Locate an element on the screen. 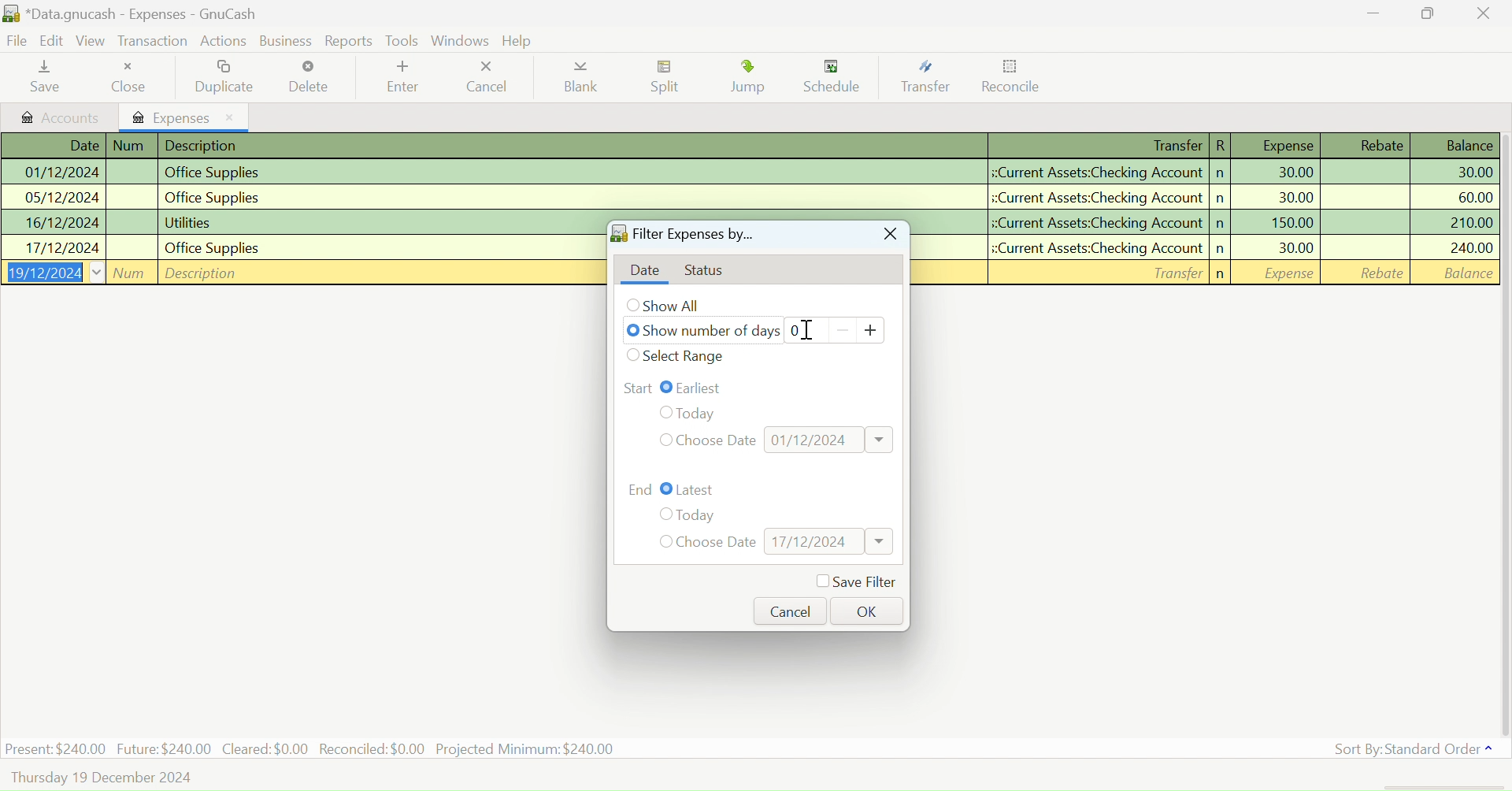  Utilities Transaction is located at coordinates (301, 223).